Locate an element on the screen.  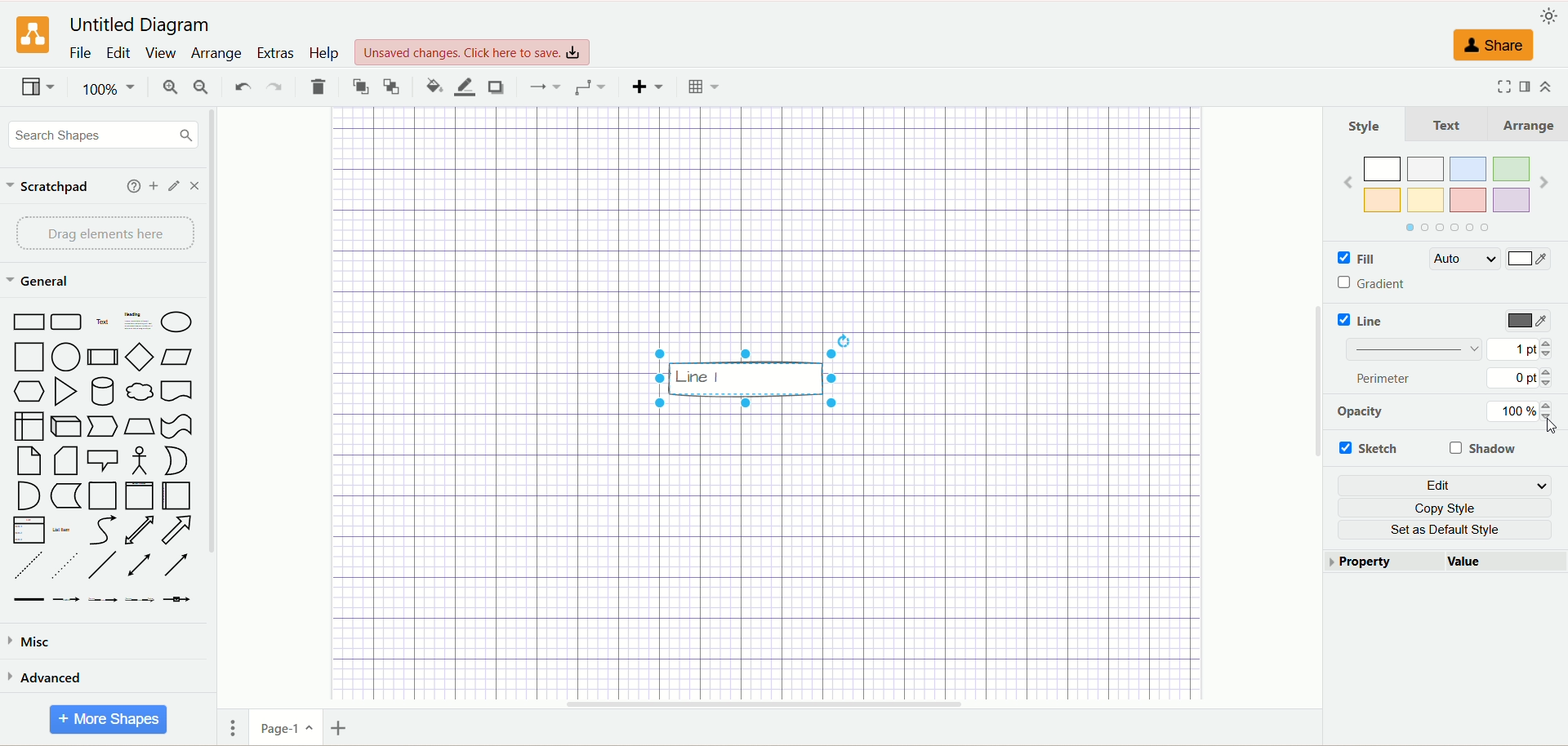
Text is located at coordinates (1445, 123).